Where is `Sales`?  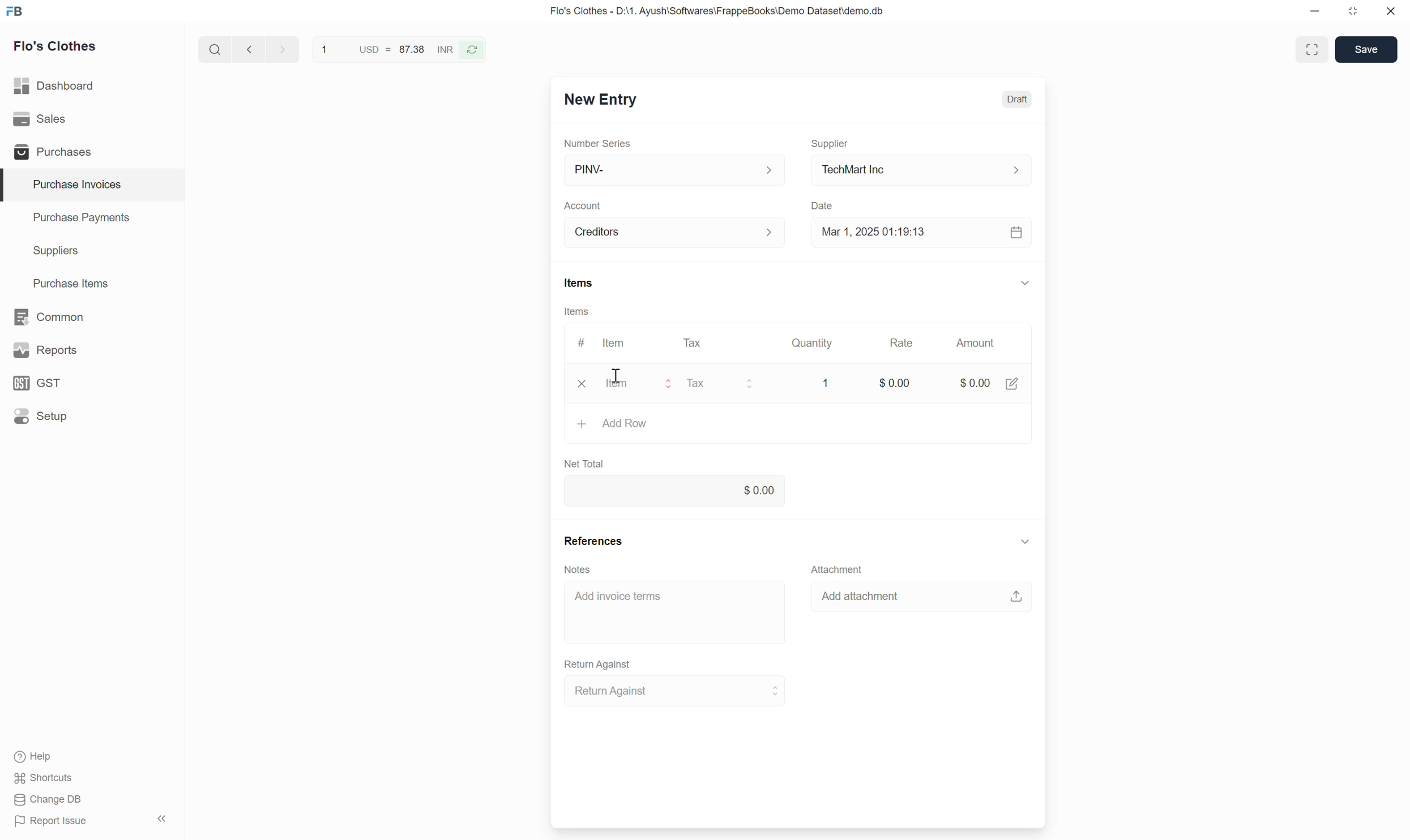
Sales is located at coordinates (42, 119).